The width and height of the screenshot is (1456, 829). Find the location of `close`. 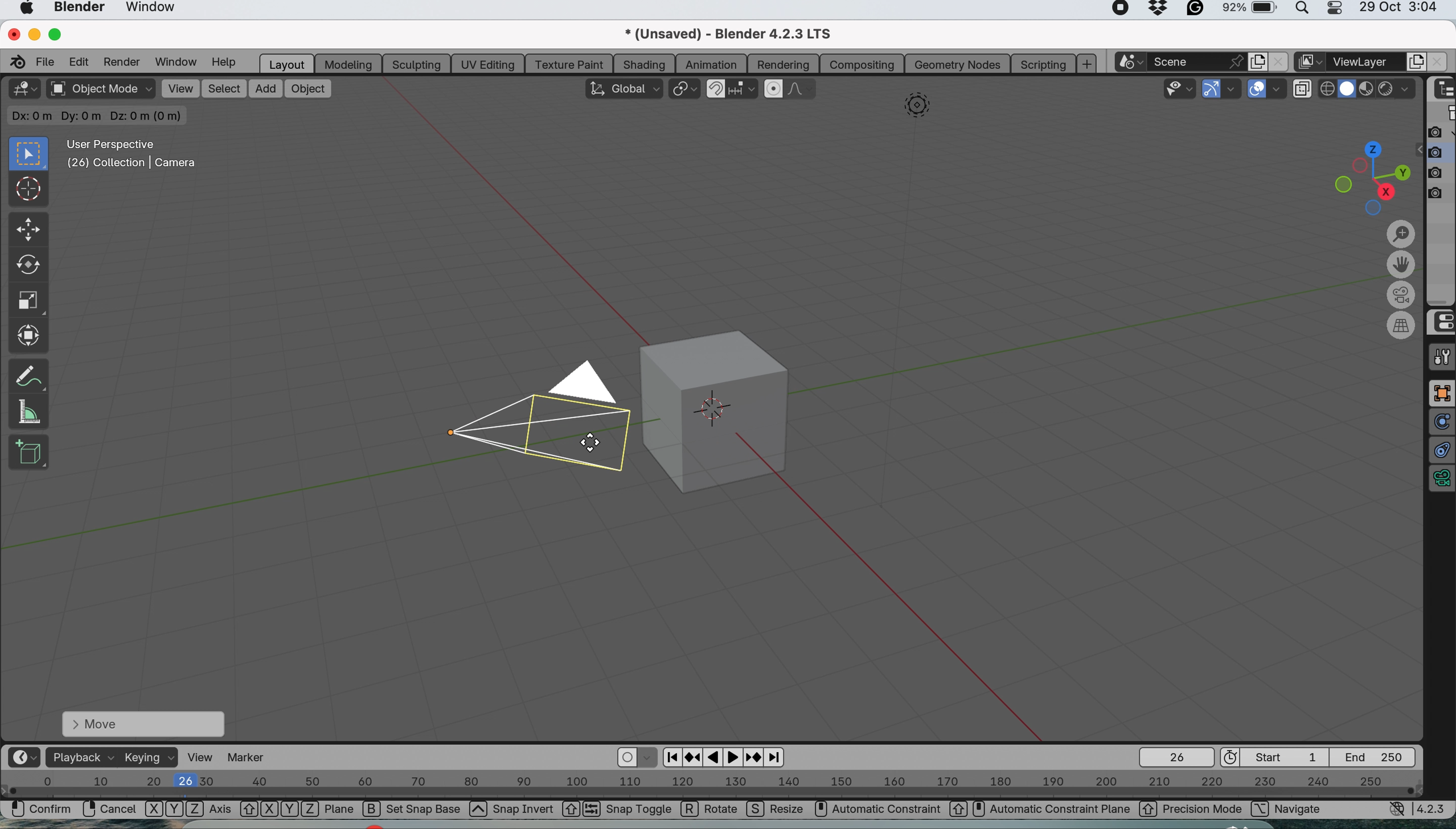

close is located at coordinates (12, 32).